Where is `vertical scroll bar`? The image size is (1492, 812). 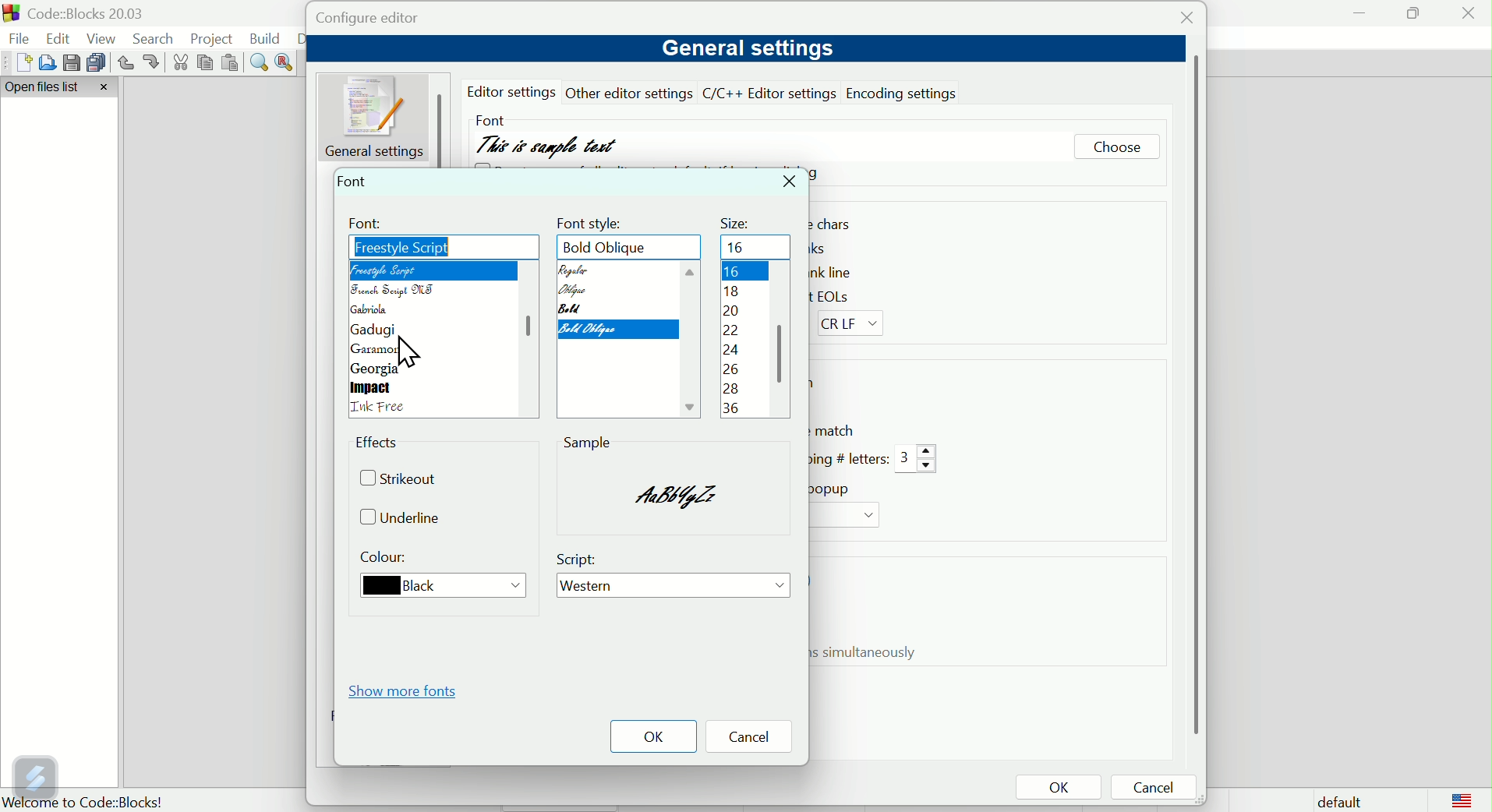 vertical scroll bar is located at coordinates (1193, 395).